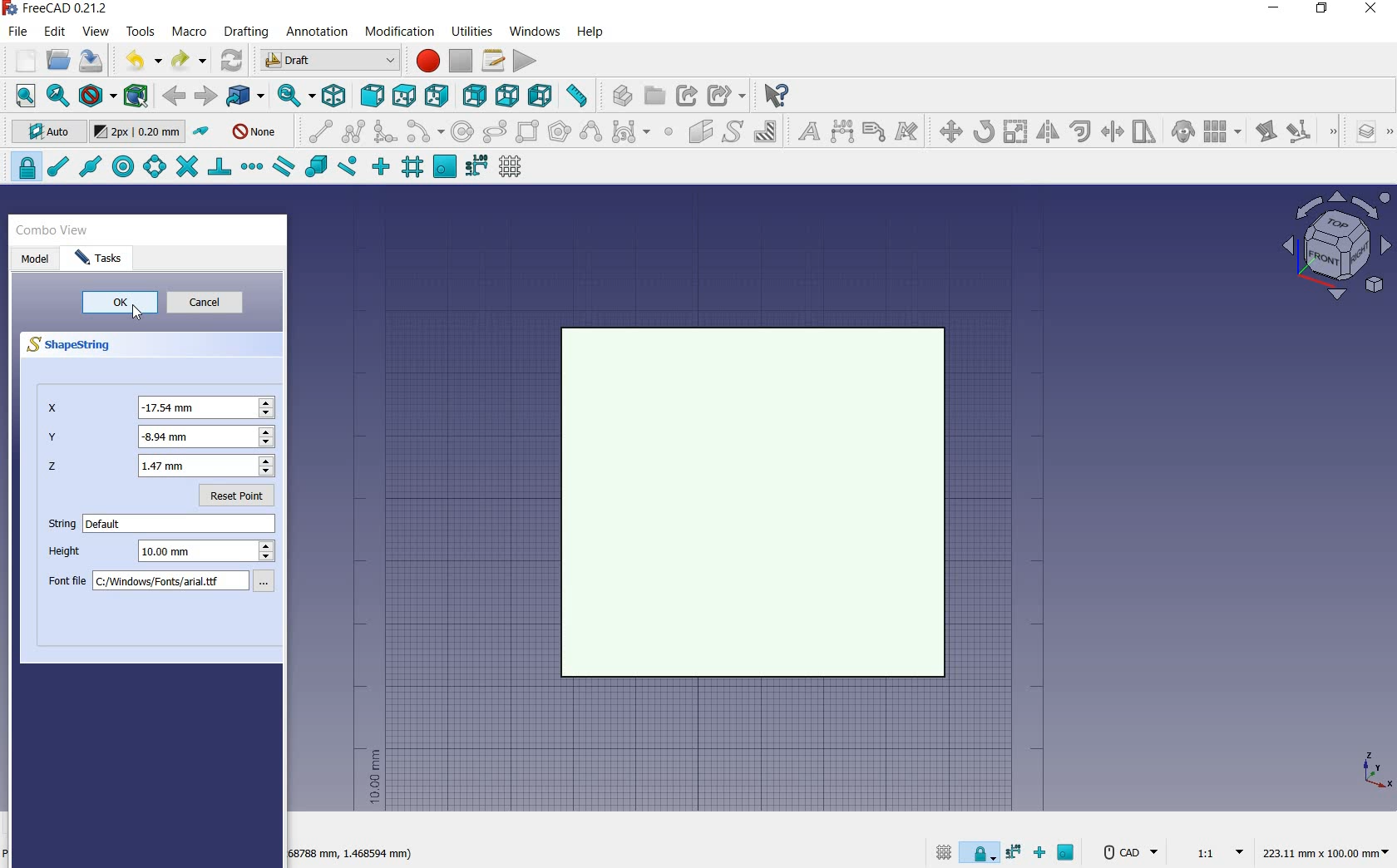 Image resolution: width=1397 pixels, height=868 pixels. What do you see at coordinates (52, 230) in the screenshot?
I see `combo view` at bounding box center [52, 230].